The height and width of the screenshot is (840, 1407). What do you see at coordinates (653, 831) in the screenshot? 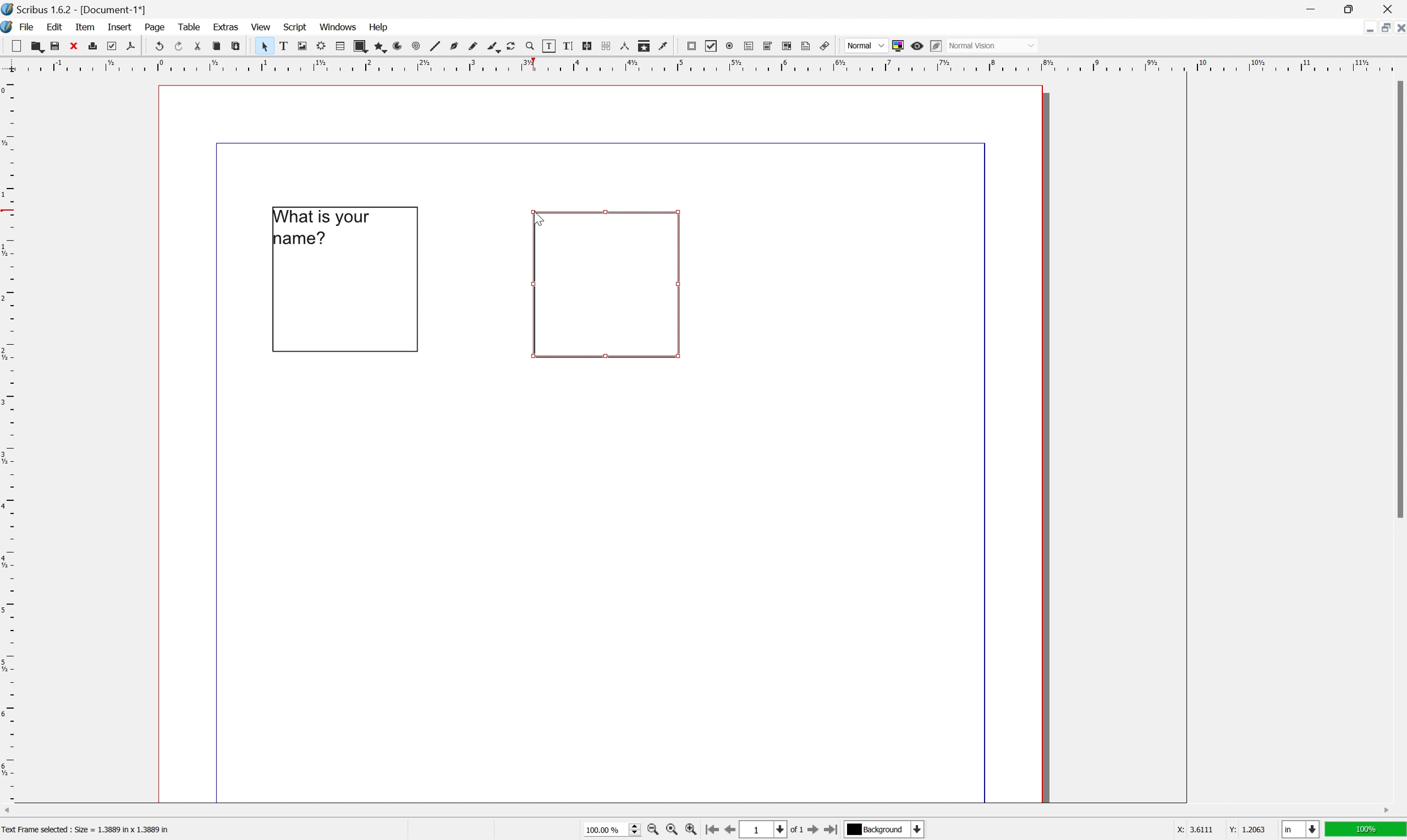
I see `zoom in` at bounding box center [653, 831].